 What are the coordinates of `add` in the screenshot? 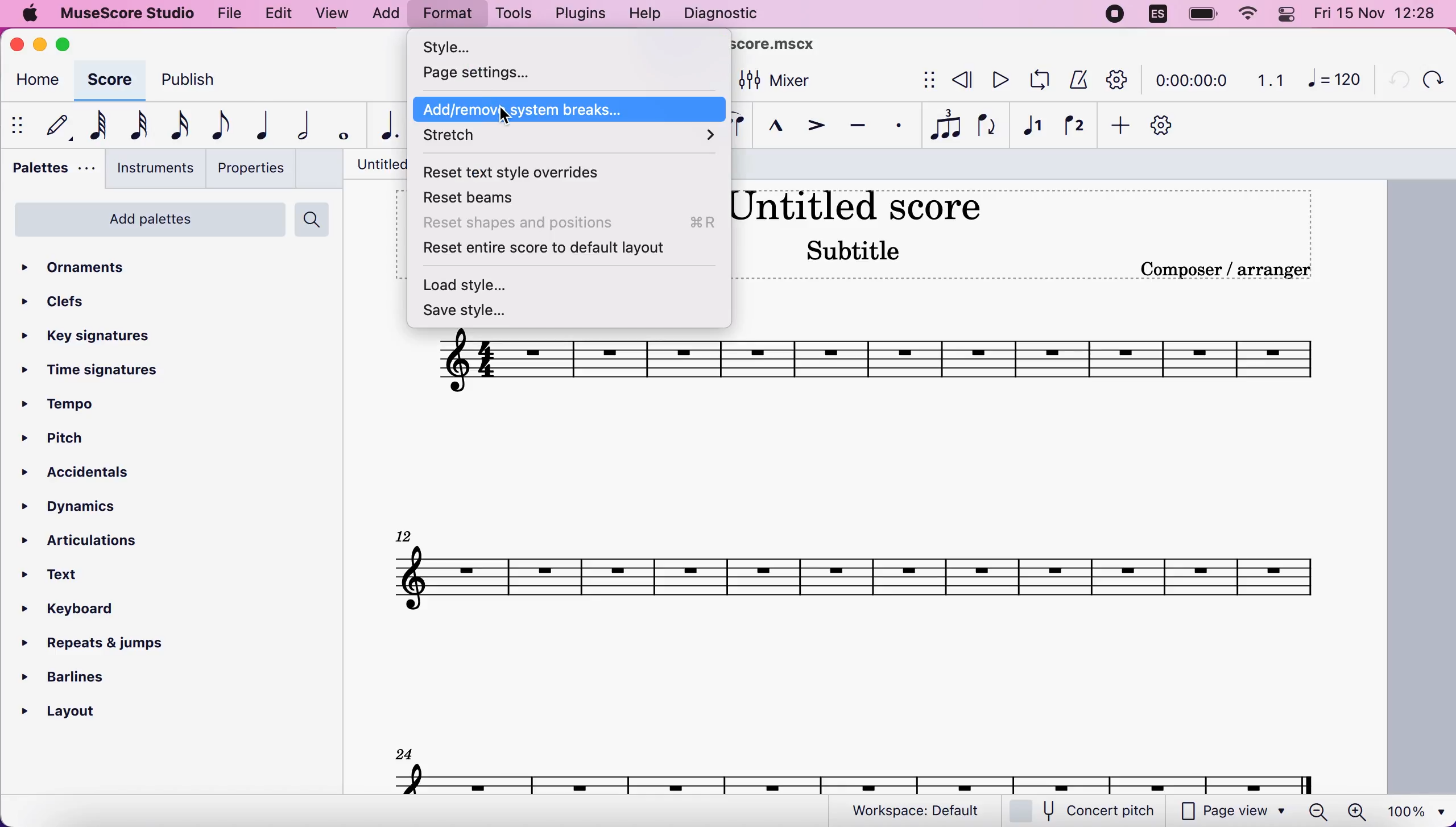 It's located at (385, 14).